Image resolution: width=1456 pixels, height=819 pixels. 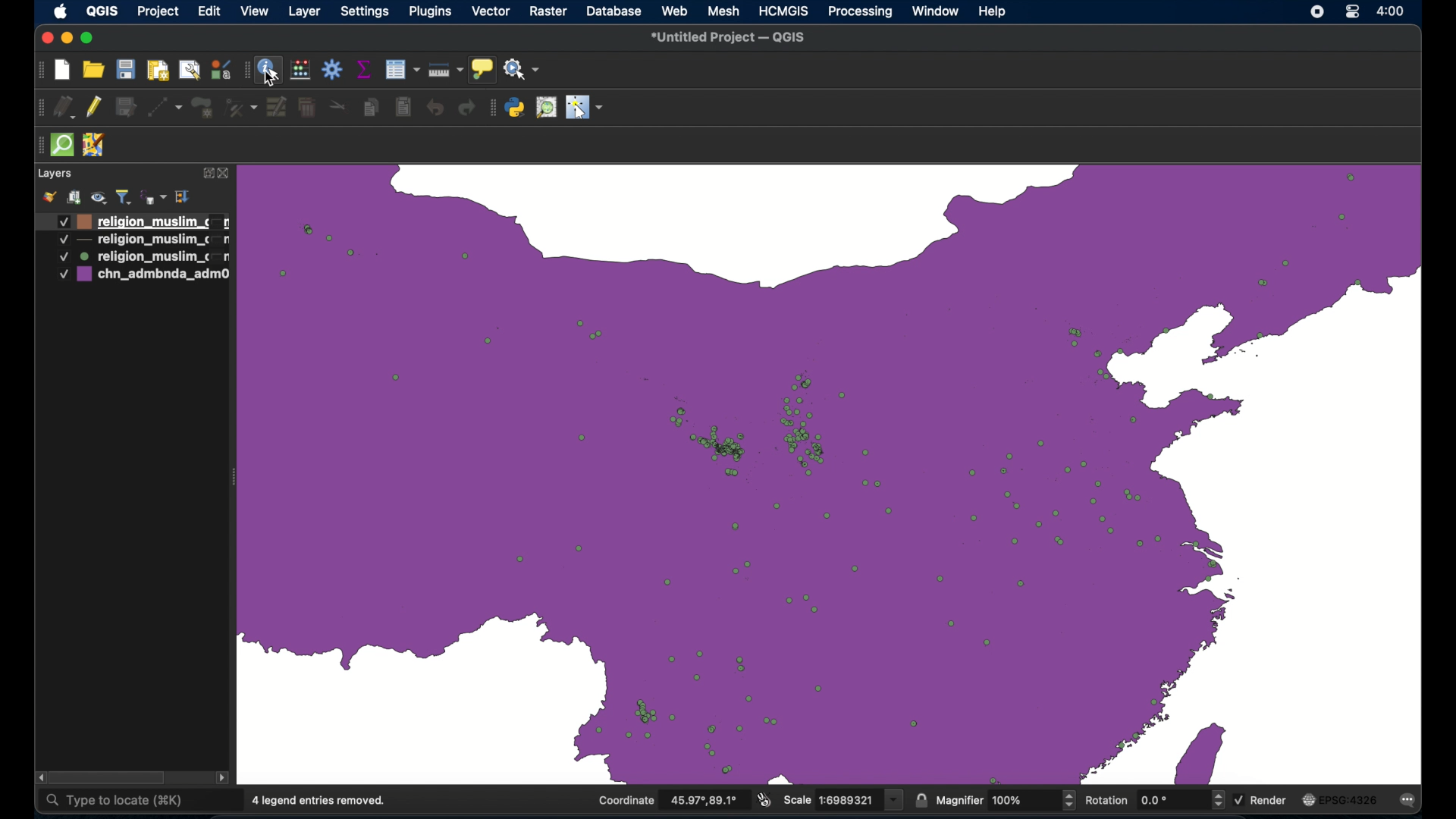 What do you see at coordinates (921, 800) in the screenshot?
I see `lock scale` at bounding box center [921, 800].